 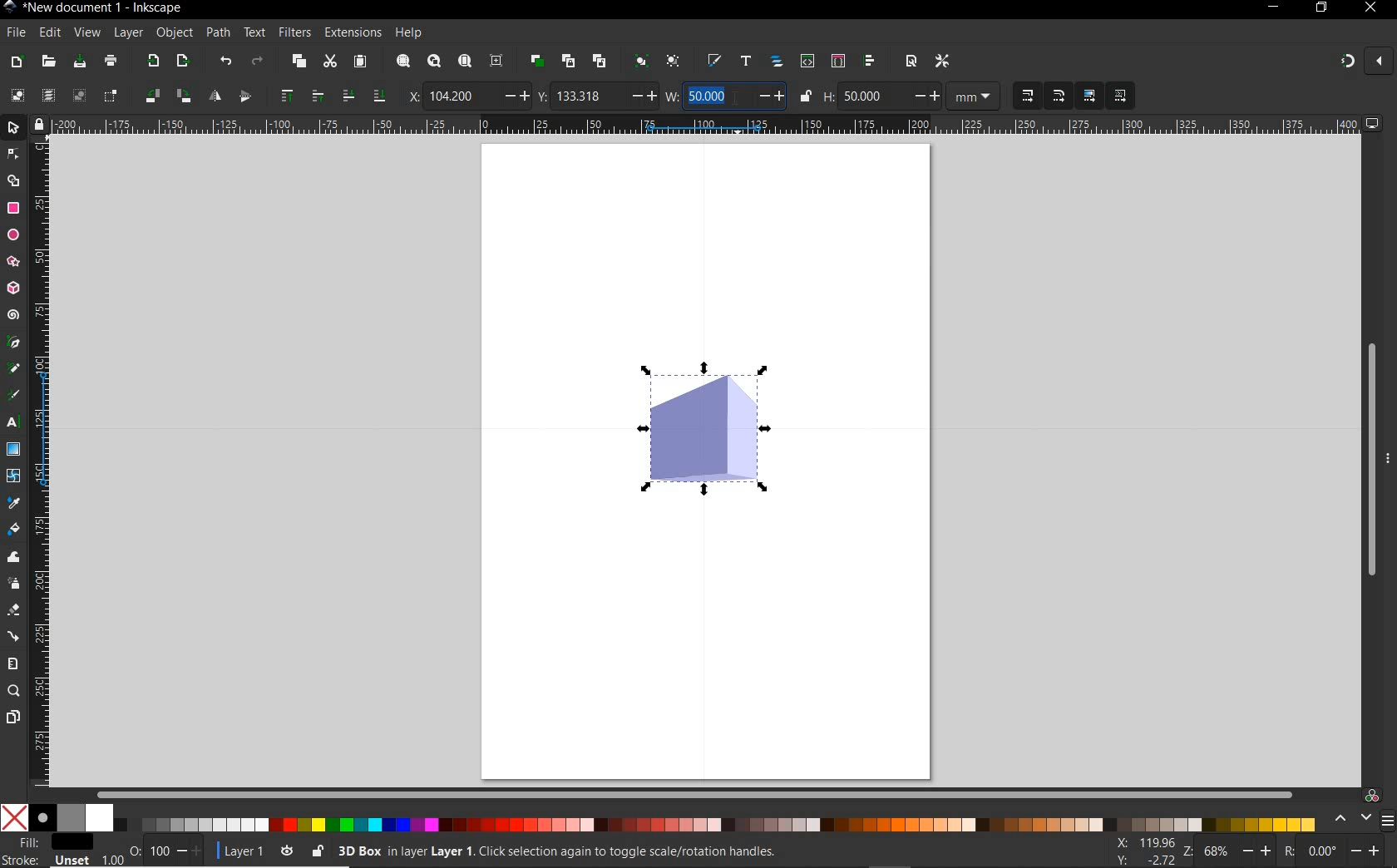 I want to click on nothing selected, so click(x=134, y=845).